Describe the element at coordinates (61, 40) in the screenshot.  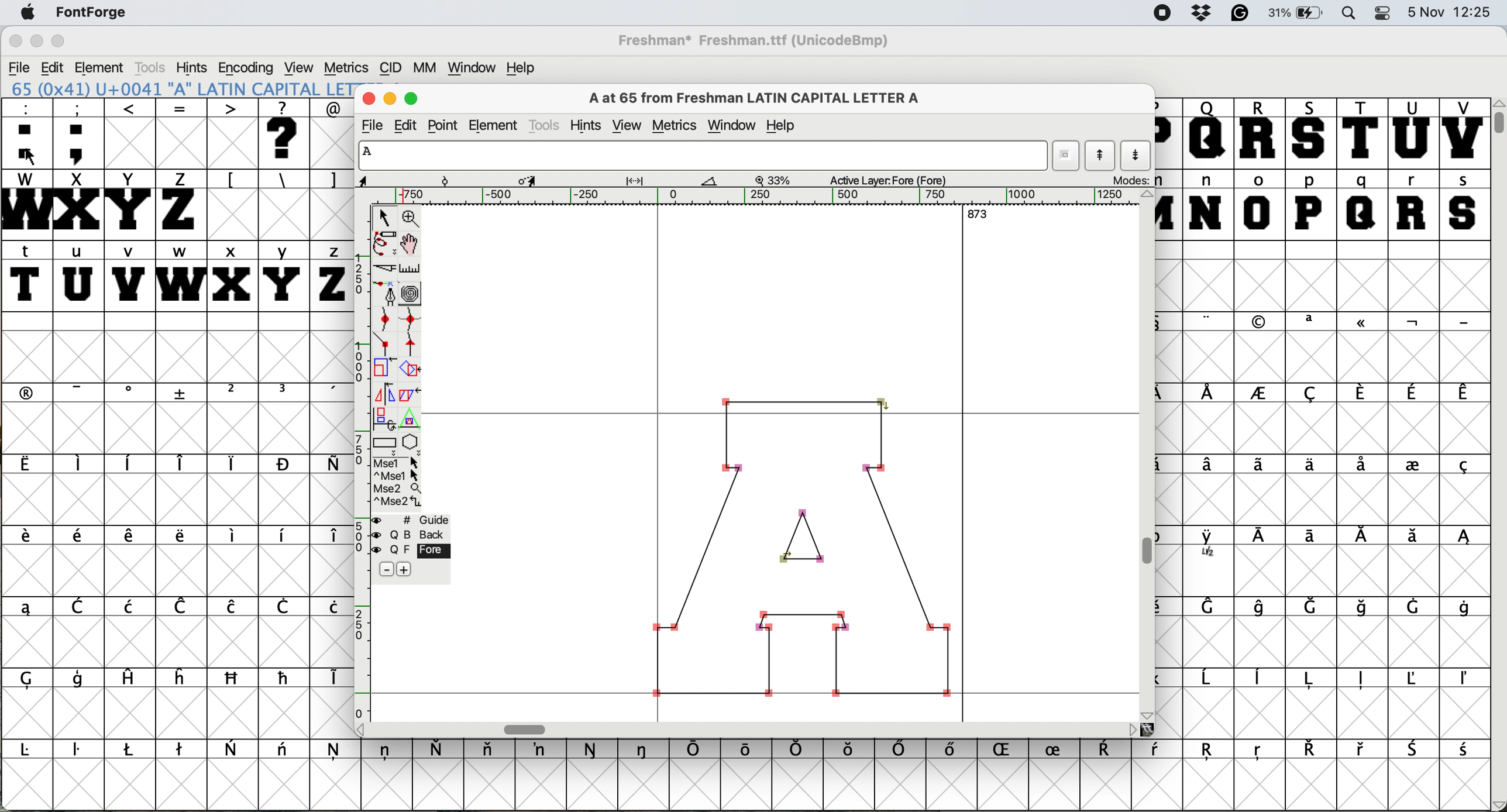
I see `maximise` at that location.